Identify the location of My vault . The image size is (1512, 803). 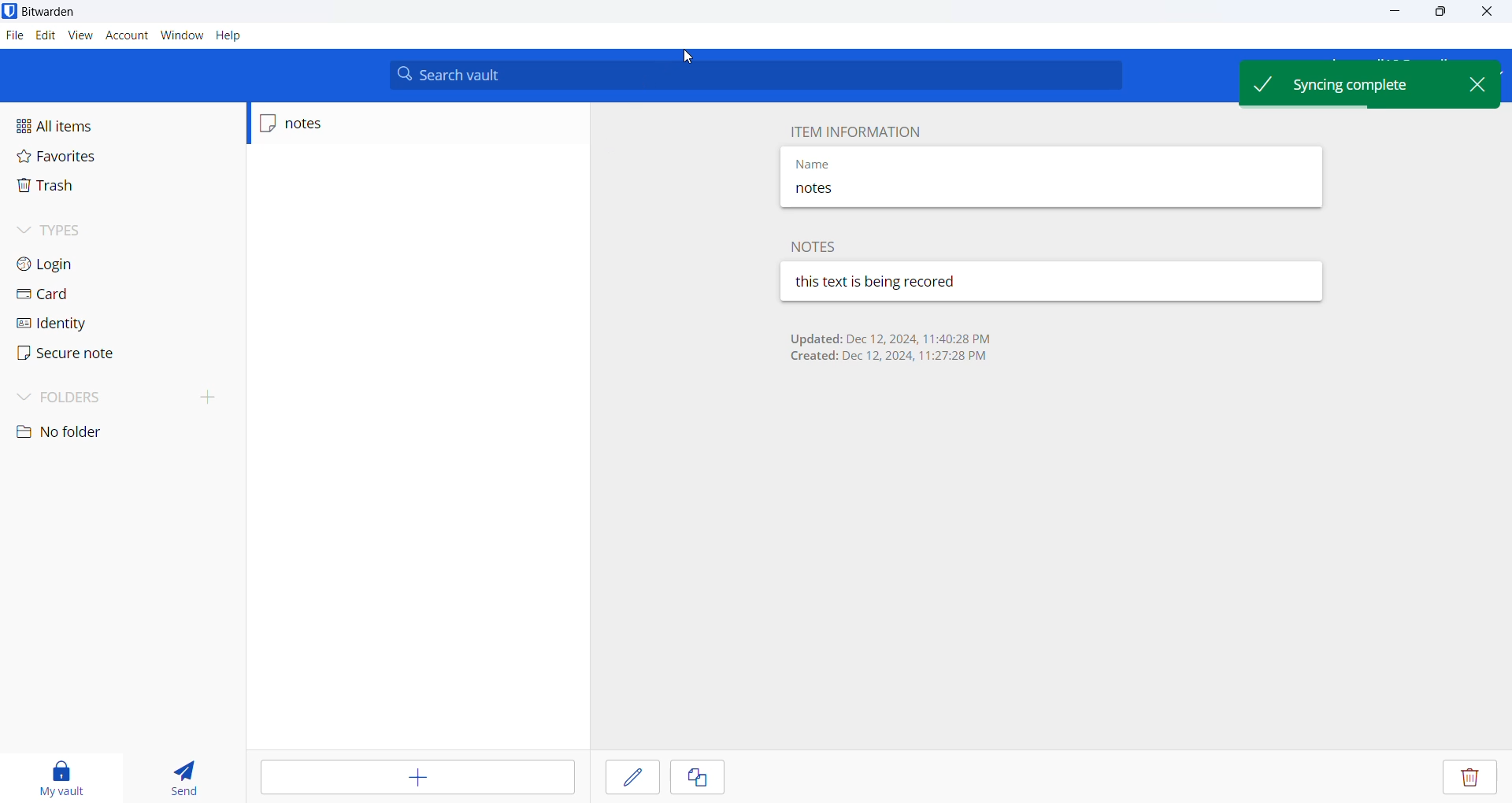
(58, 775).